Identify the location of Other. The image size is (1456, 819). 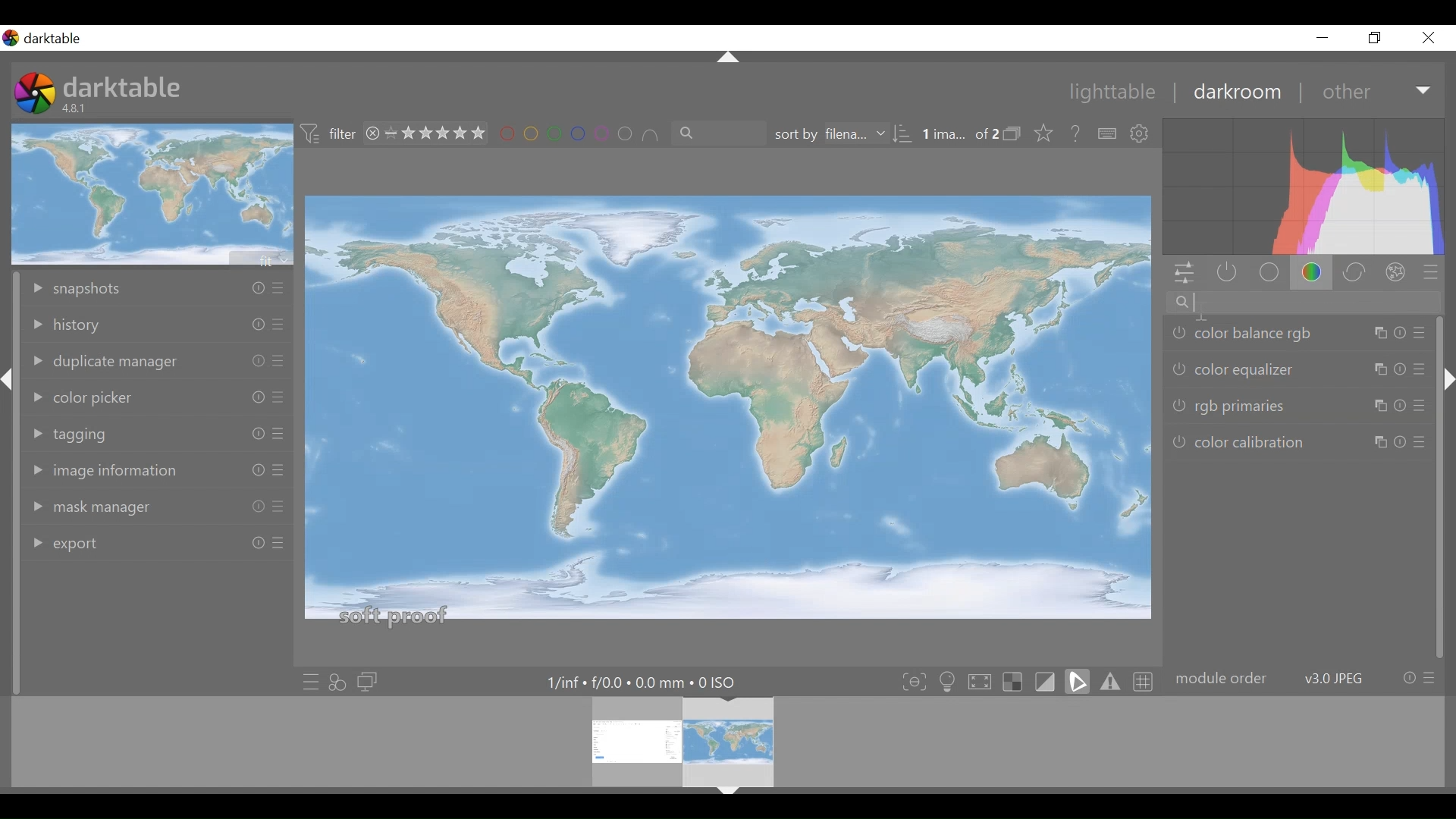
(1377, 91).